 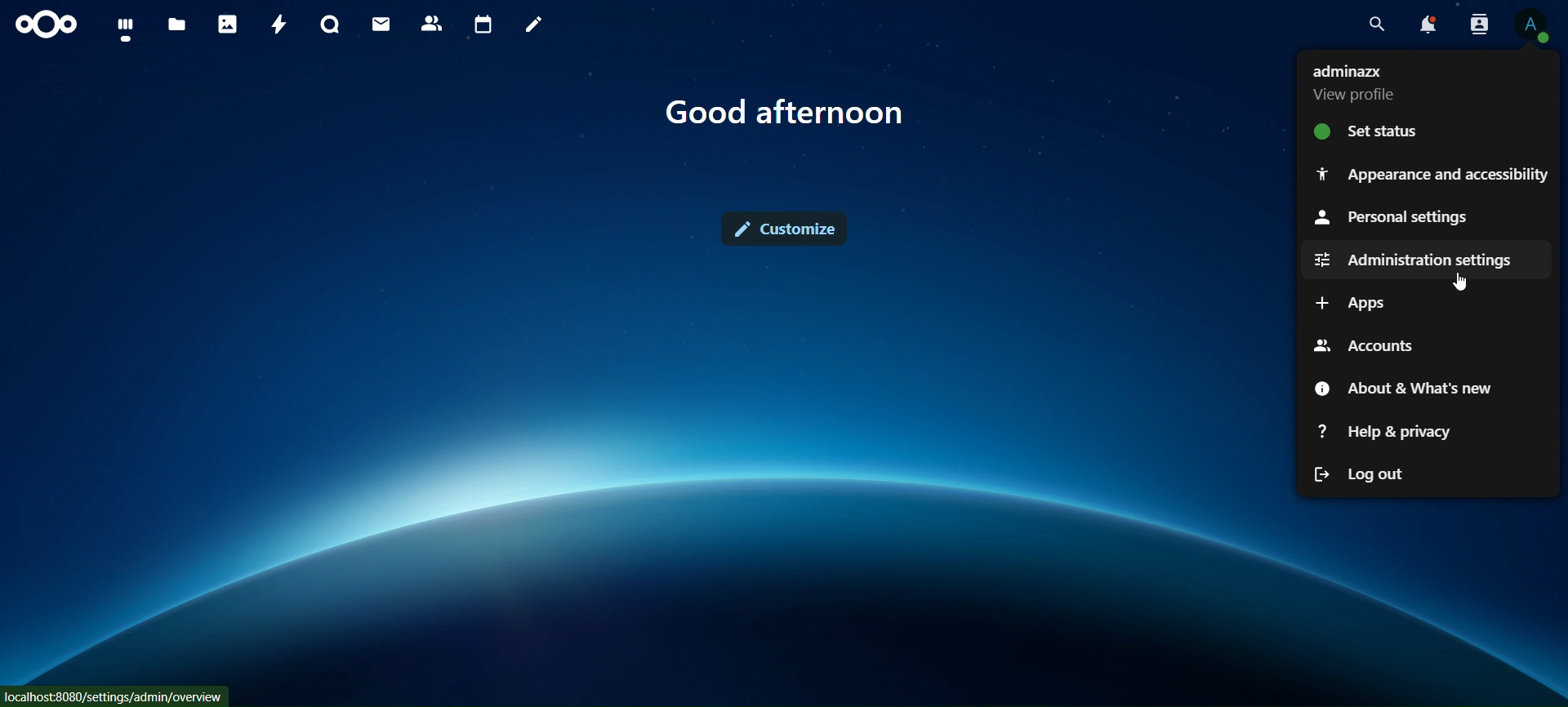 I want to click on notifications, so click(x=1429, y=24).